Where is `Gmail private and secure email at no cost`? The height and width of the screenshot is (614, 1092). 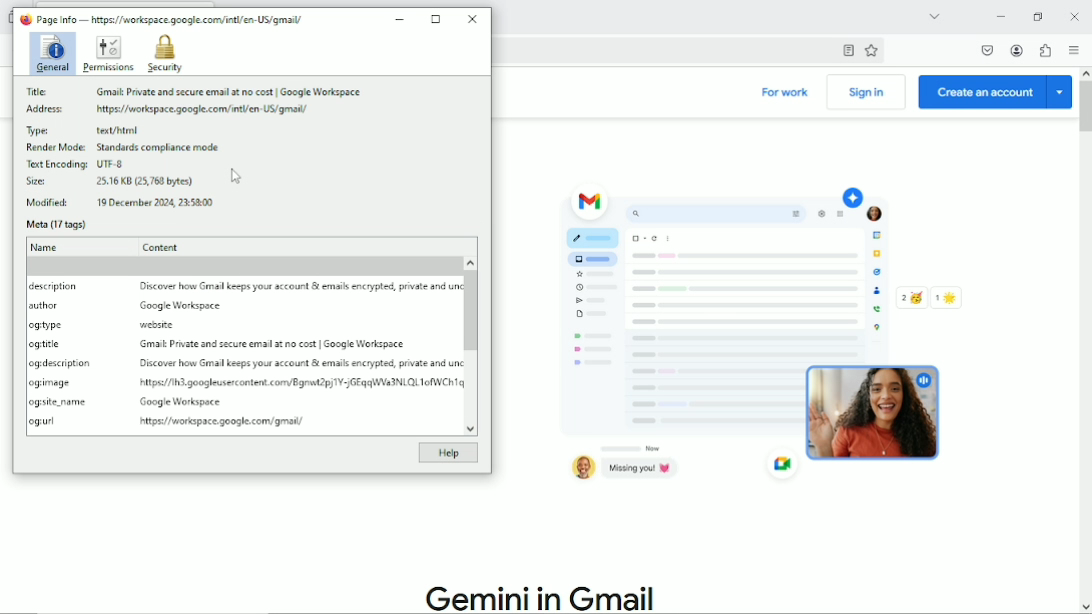
Gmail private and secure email at no cost is located at coordinates (241, 92).